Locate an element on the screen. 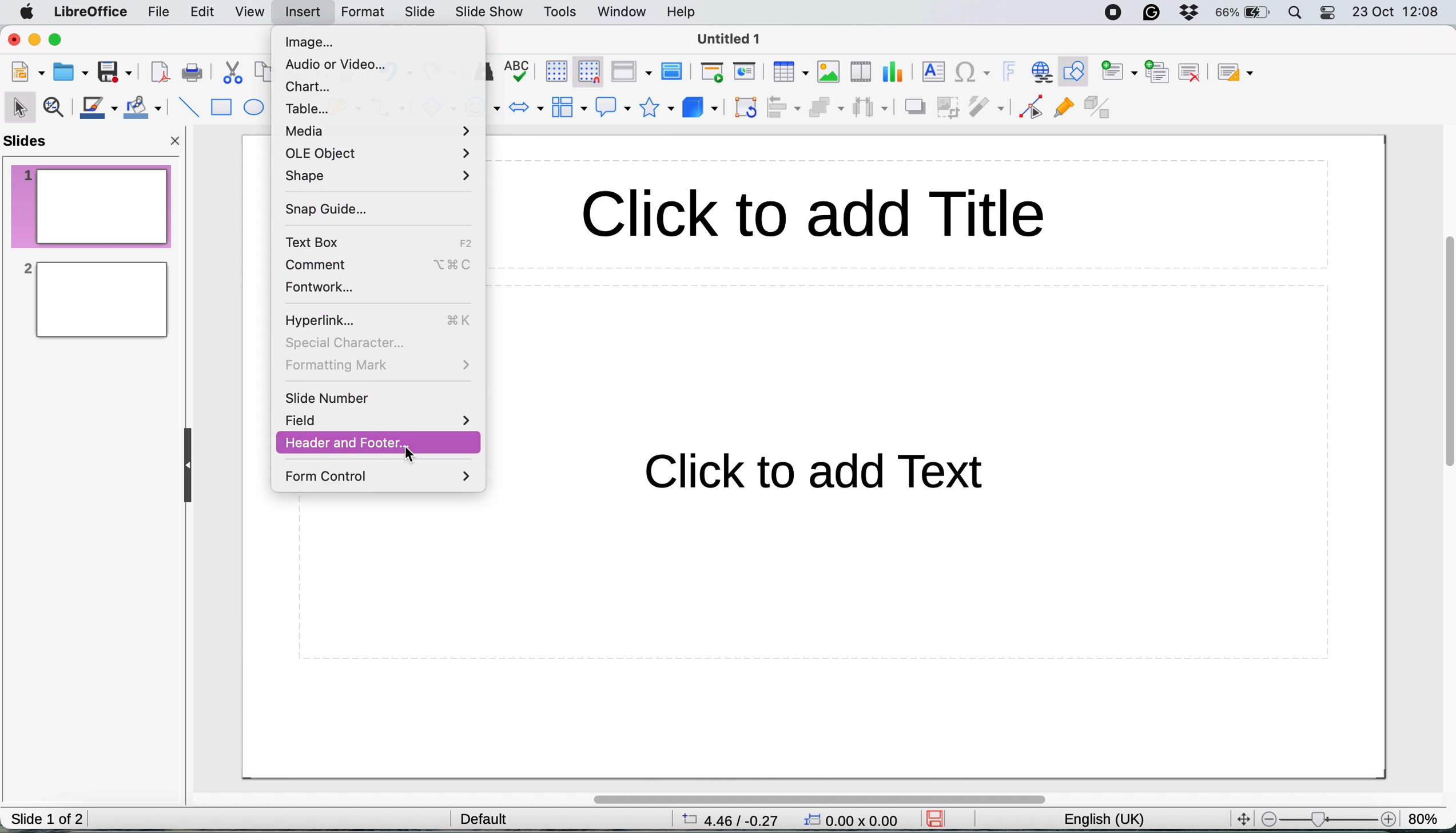 The height and width of the screenshot is (833, 1456). view is located at coordinates (253, 11).